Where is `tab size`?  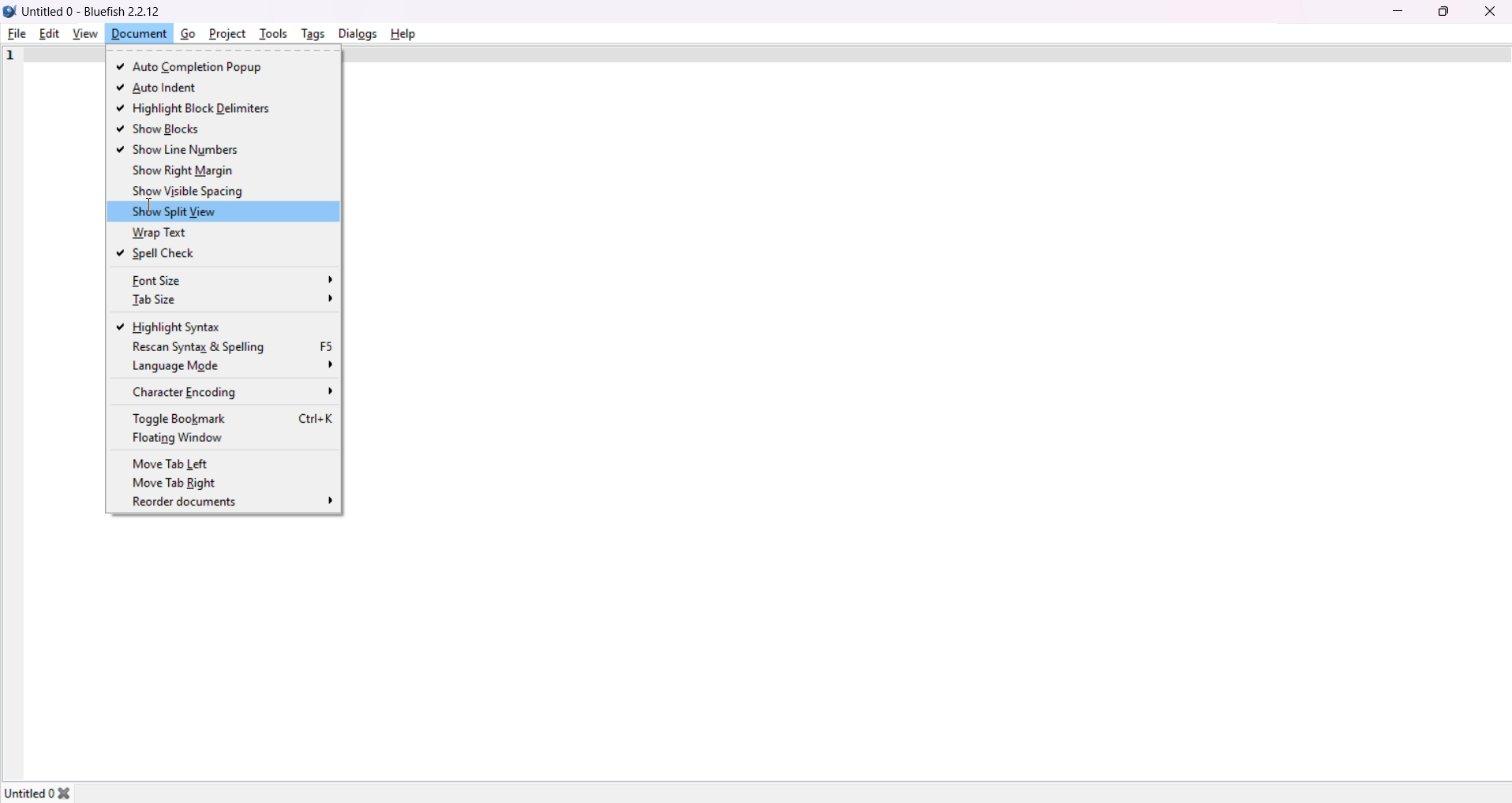 tab size is located at coordinates (228, 301).